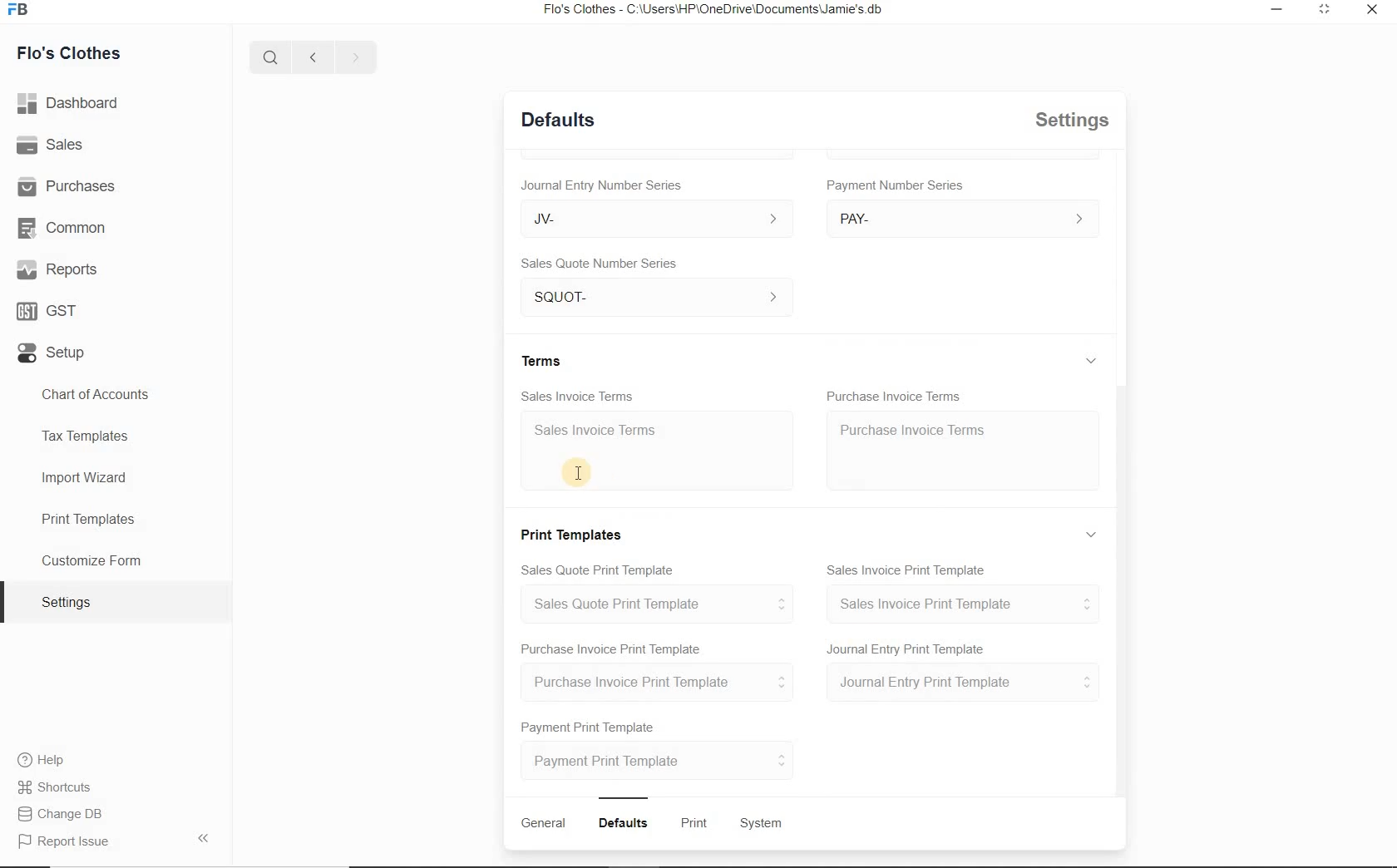 This screenshot has height=868, width=1397. Describe the element at coordinates (711, 9) in the screenshot. I see `Flo's Clothes - C:\Users\HP'\OneDrive\Documents\Jamie's.db` at that location.